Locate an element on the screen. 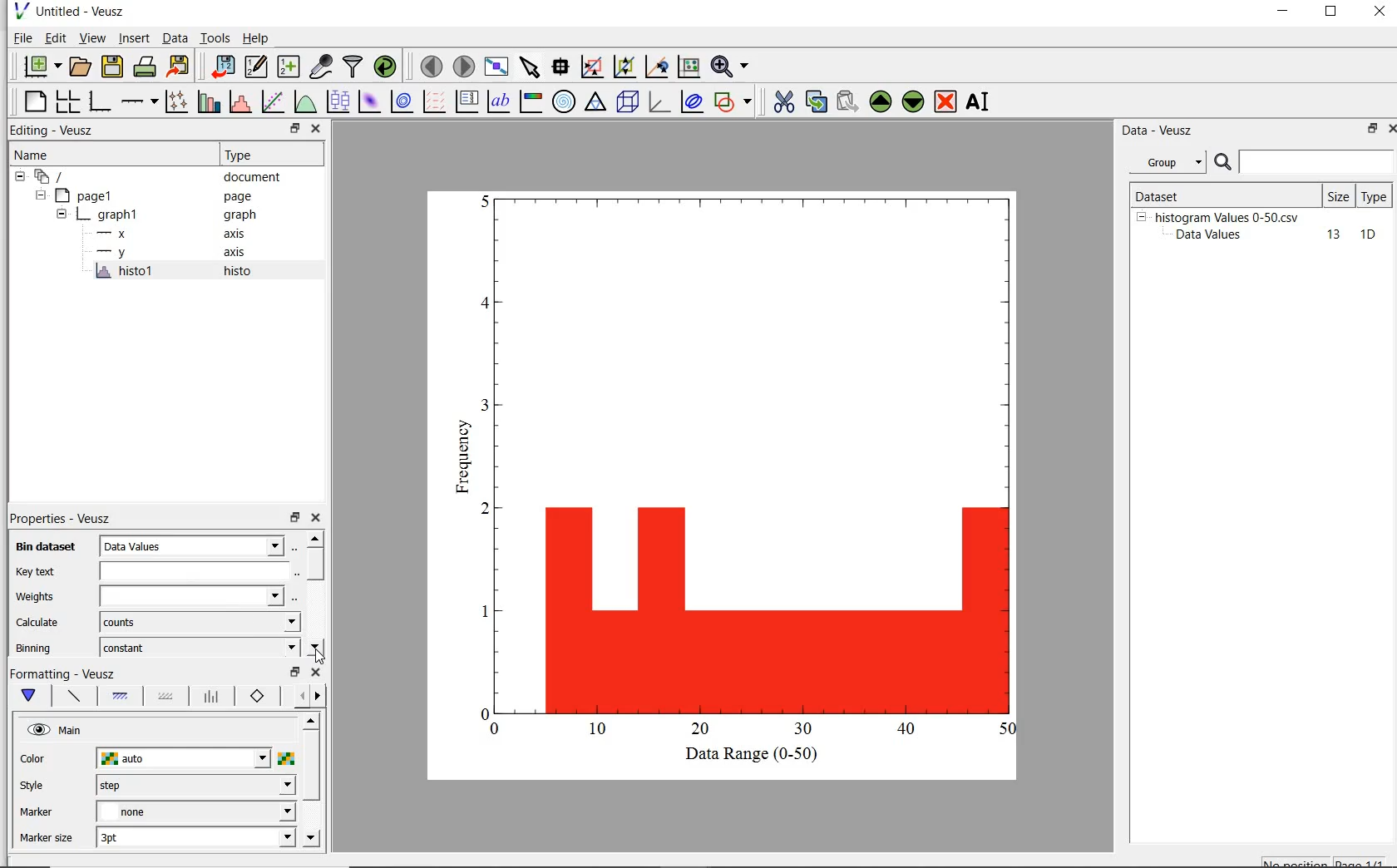 This screenshot has width=1397, height=868. file is located at coordinates (22, 37).